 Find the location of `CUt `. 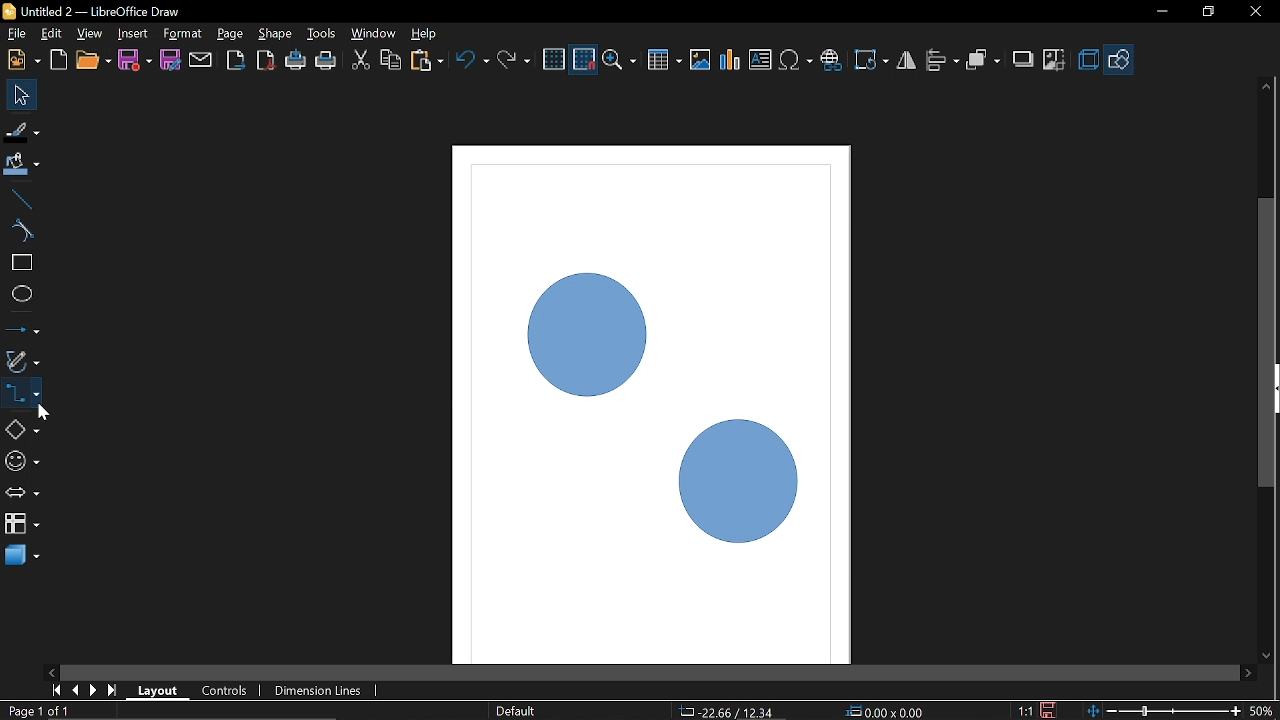

CUt  is located at coordinates (361, 60).